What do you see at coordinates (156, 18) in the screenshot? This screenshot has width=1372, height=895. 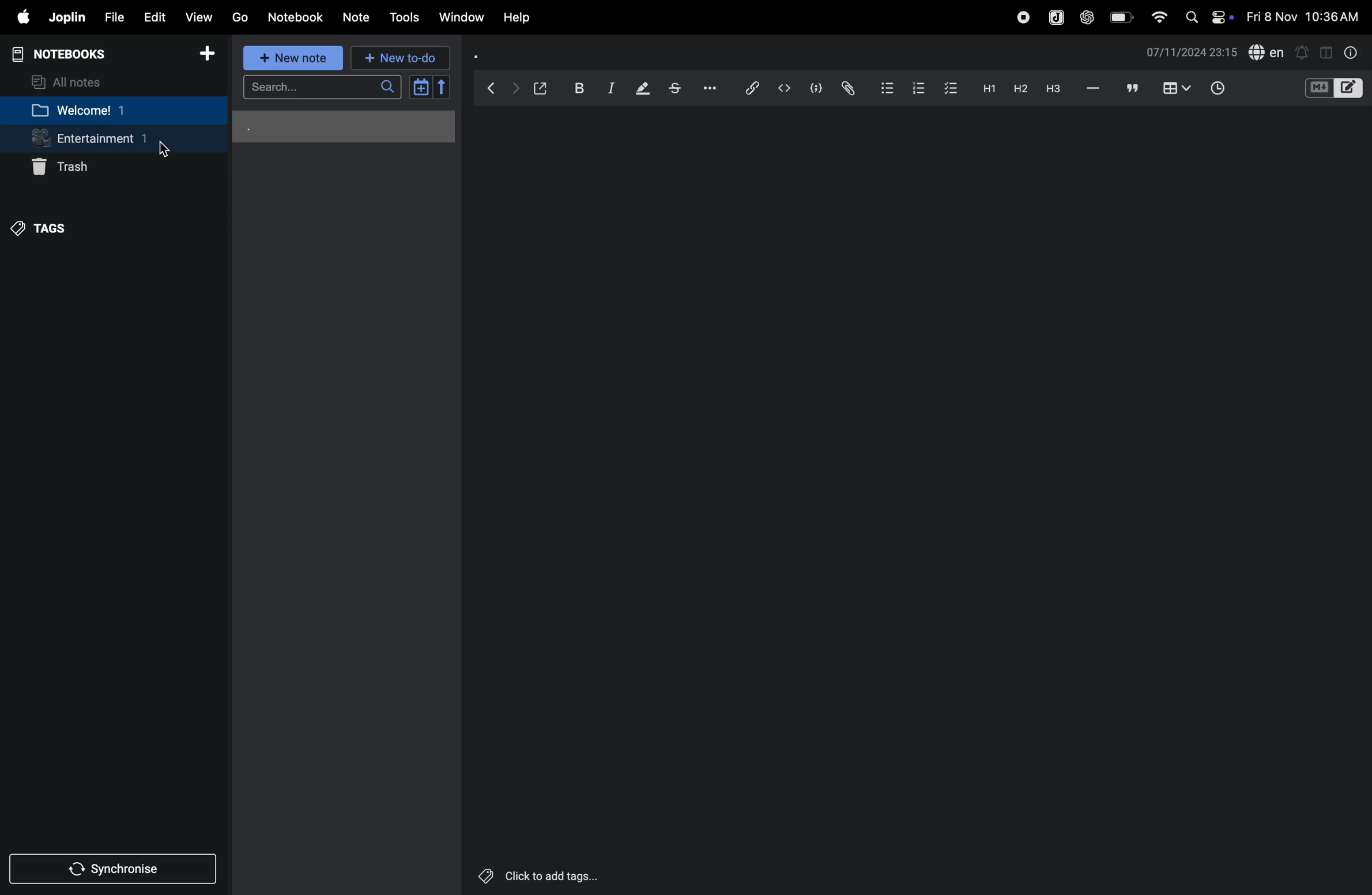 I see `edit` at bounding box center [156, 18].